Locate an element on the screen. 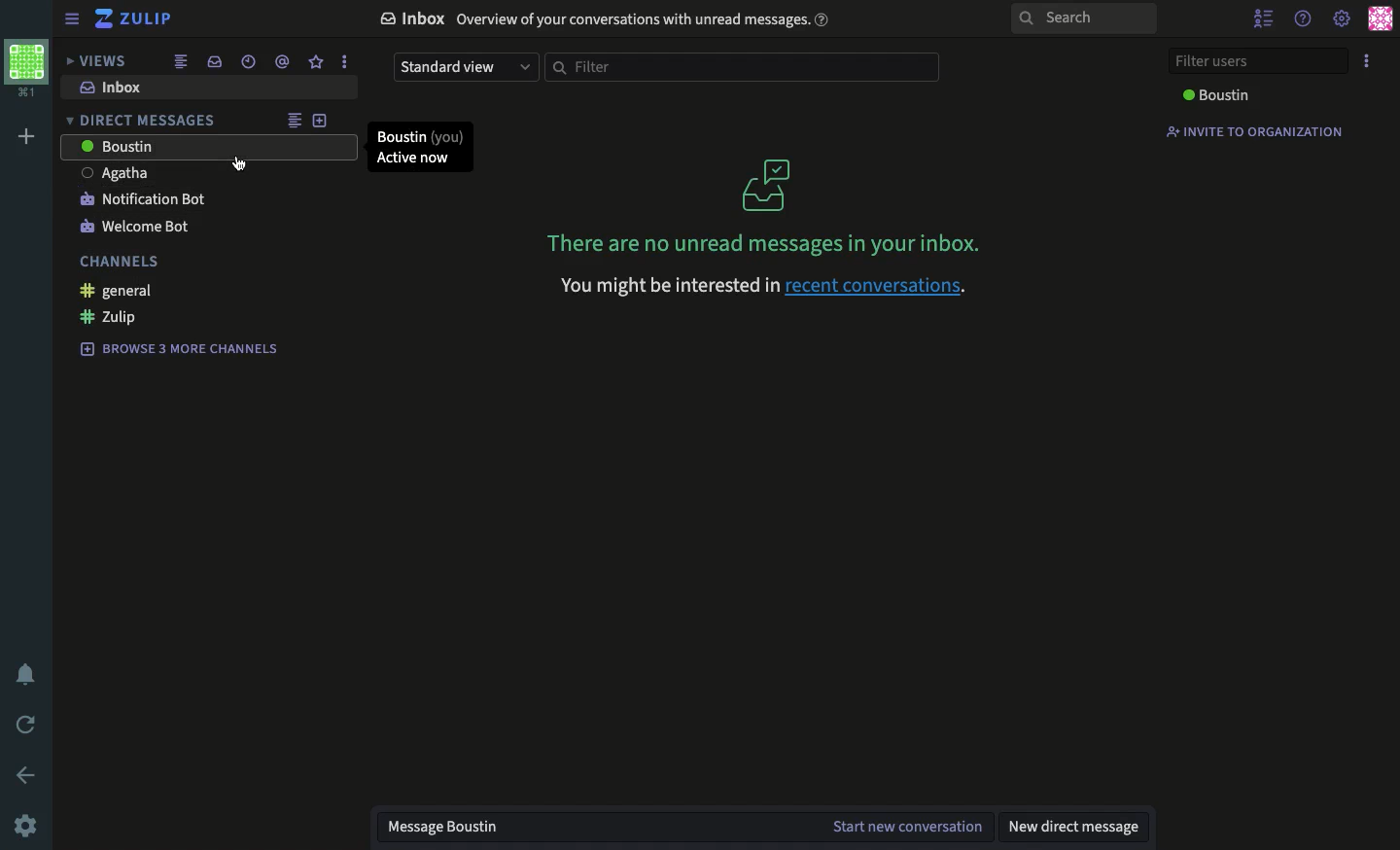 The image size is (1400, 850). new dm is located at coordinates (1075, 829).